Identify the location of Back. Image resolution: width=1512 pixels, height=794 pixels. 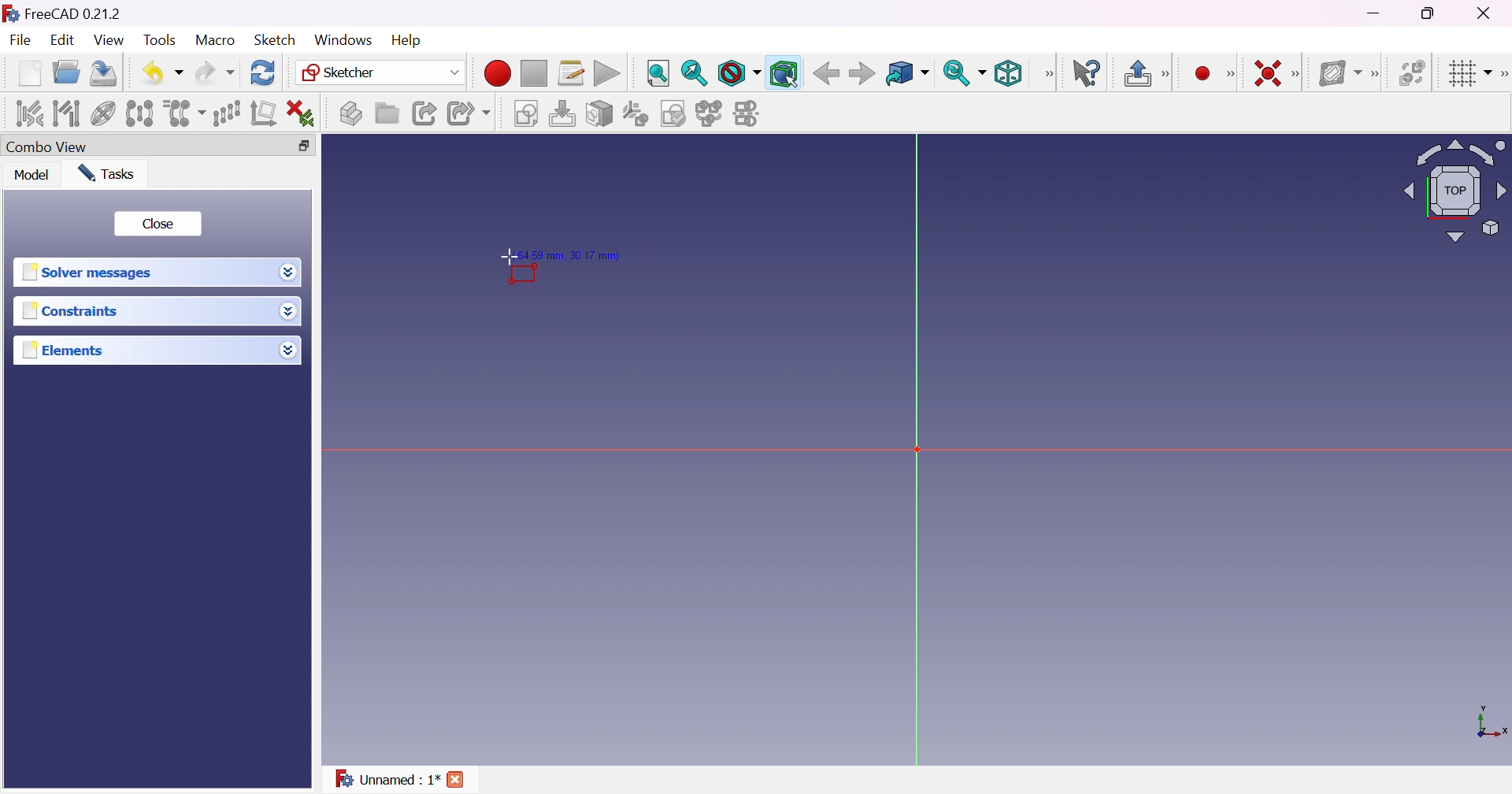
(826, 74).